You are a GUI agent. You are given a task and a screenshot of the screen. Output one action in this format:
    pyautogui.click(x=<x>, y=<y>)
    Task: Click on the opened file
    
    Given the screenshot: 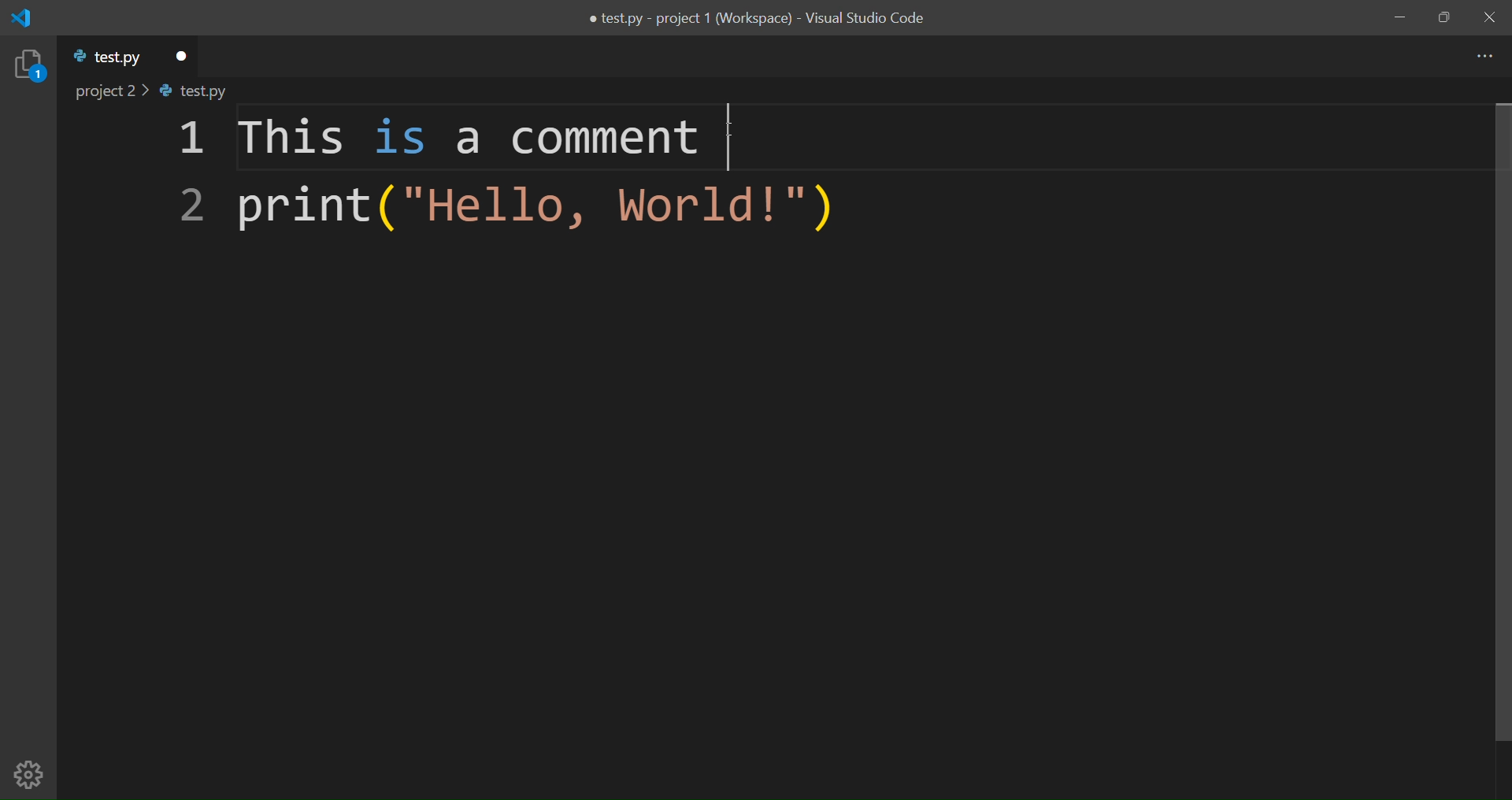 What is the action you would take?
    pyautogui.click(x=104, y=59)
    